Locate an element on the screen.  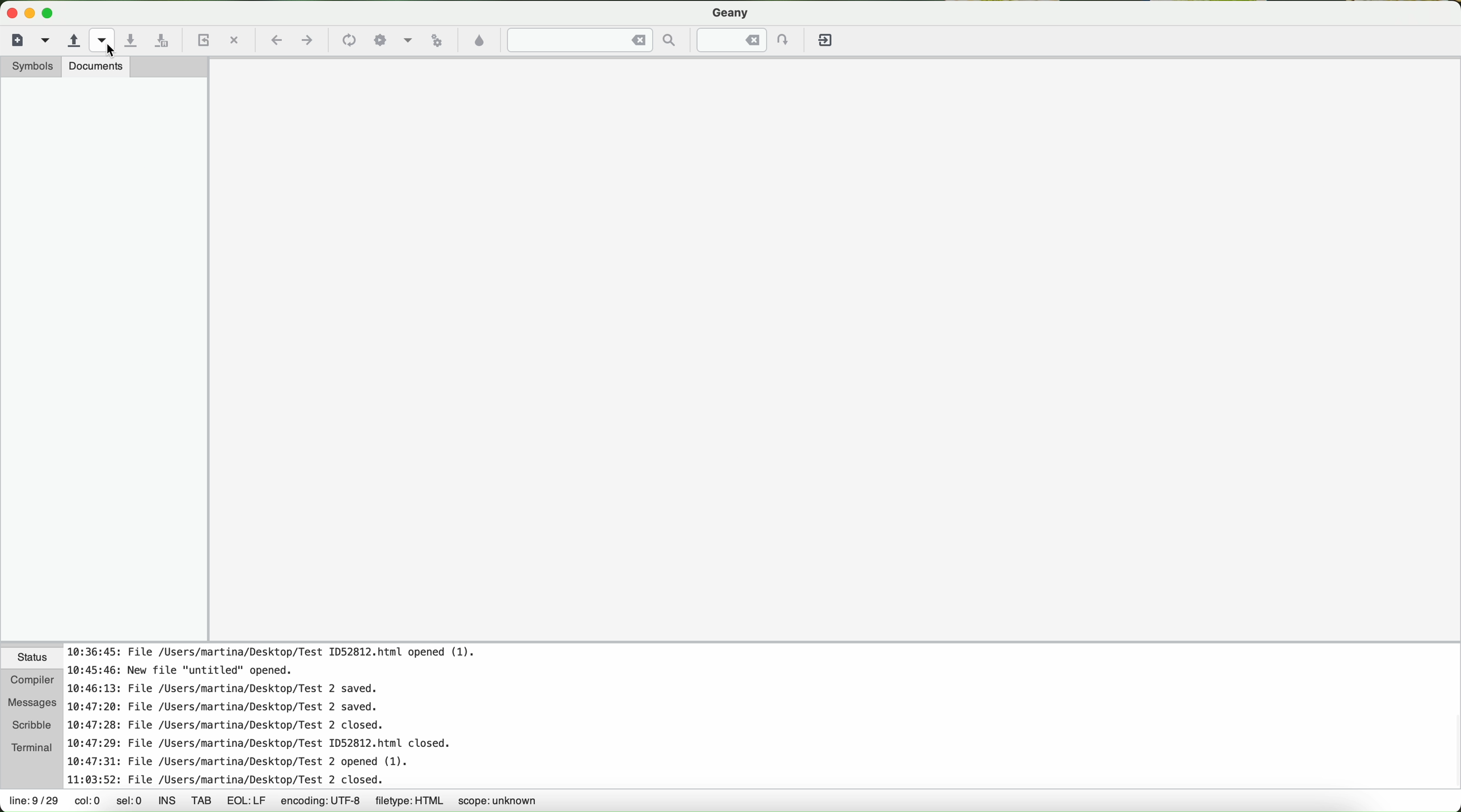
navigate back is located at coordinates (277, 43).